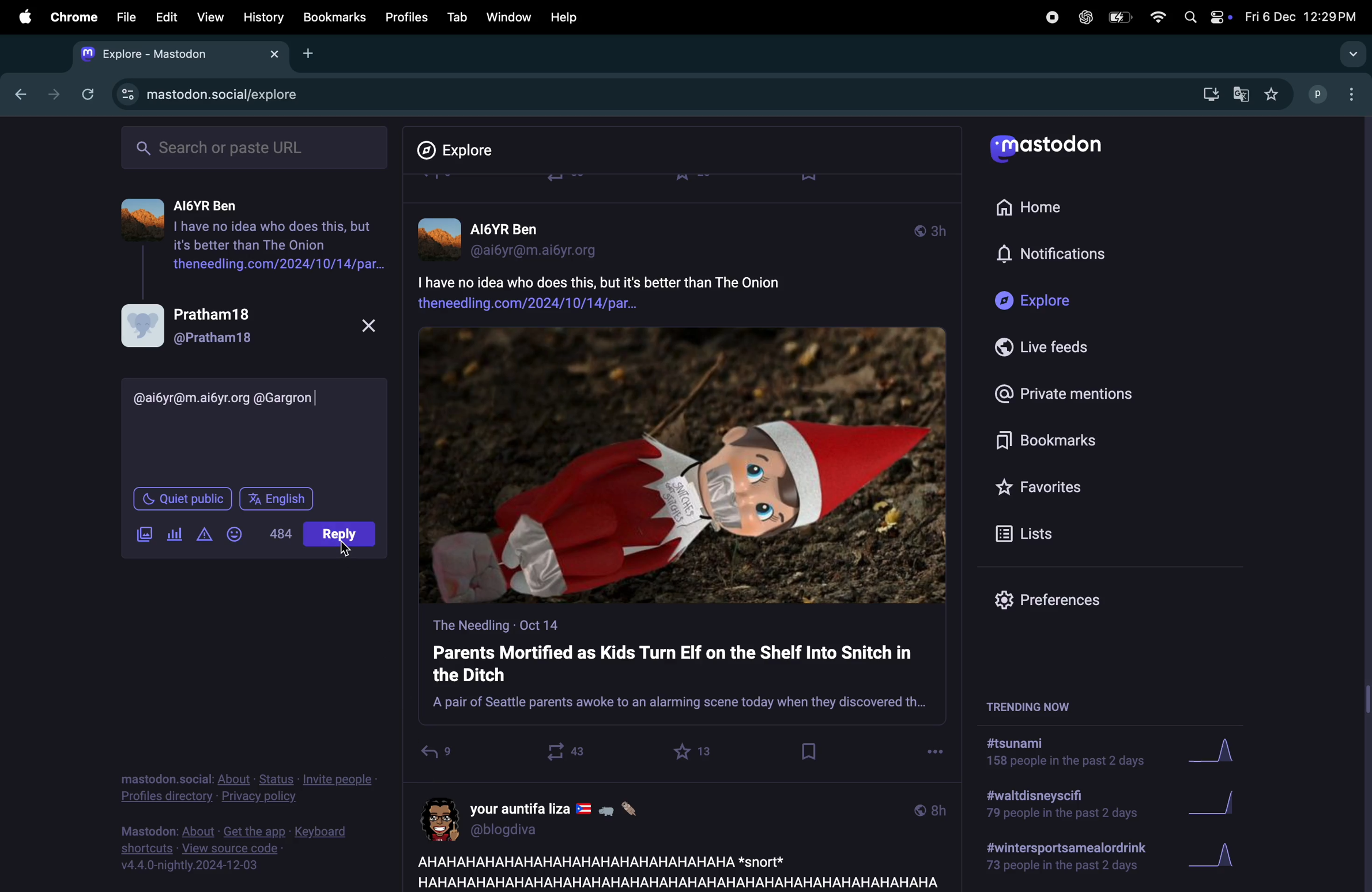 This screenshot has height=892, width=1372. Describe the element at coordinates (930, 809) in the screenshot. I see `time` at that location.